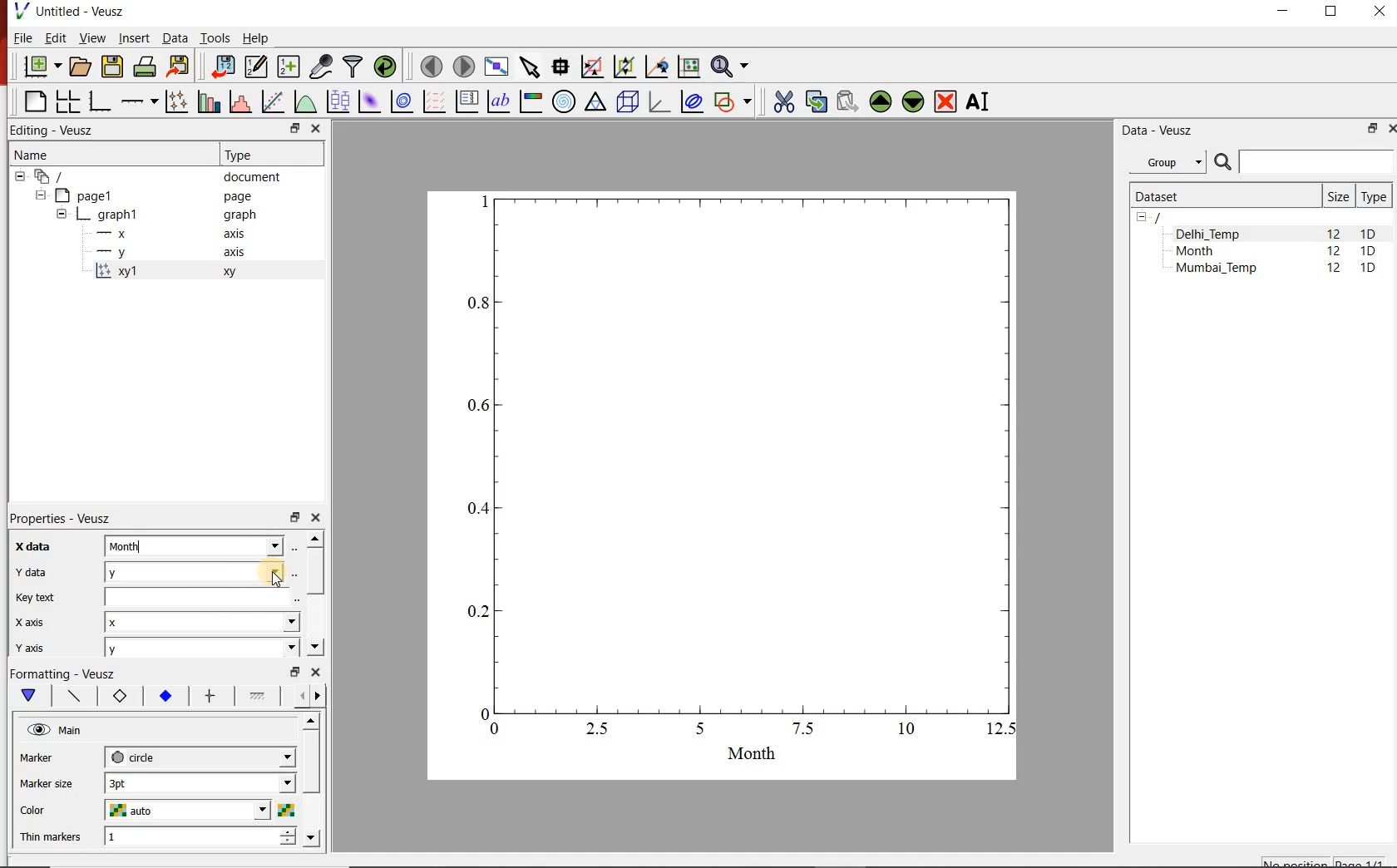  Describe the element at coordinates (221, 67) in the screenshot. I see `import data into Veusz` at that location.